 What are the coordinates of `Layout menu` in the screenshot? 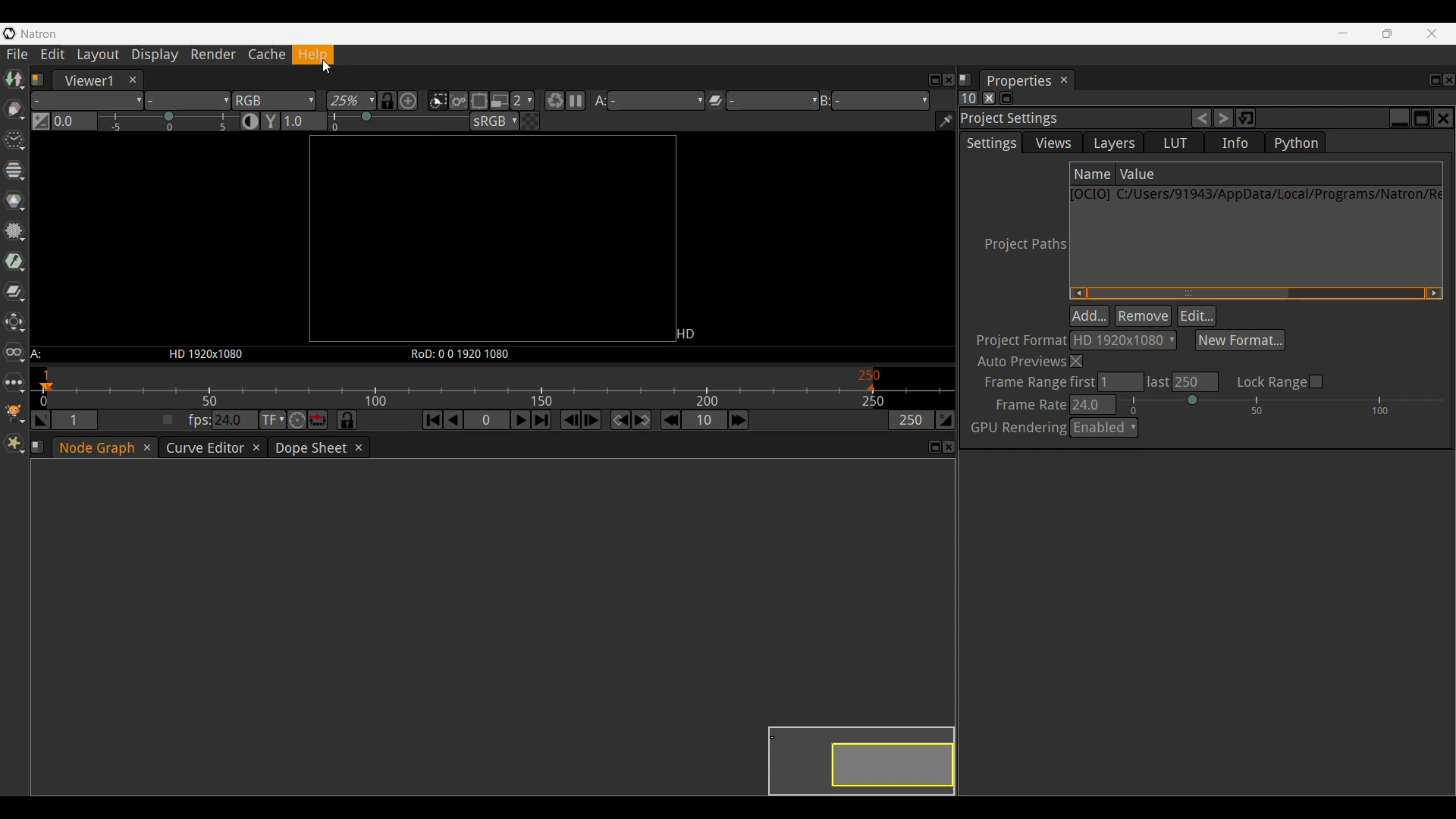 It's located at (98, 55).